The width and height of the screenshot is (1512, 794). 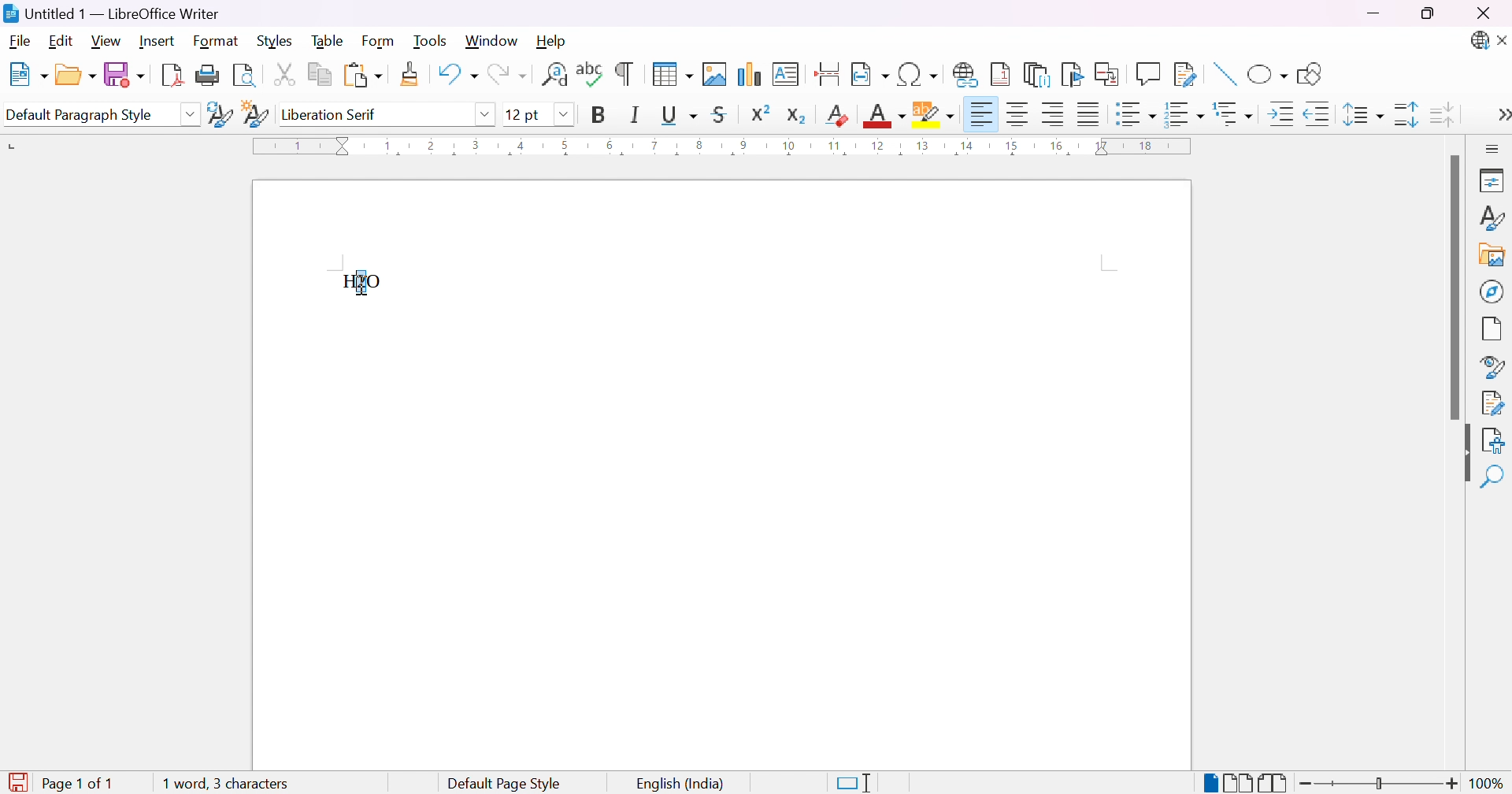 What do you see at coordinates (919, 75) in the screenshot?
I see `Insert special characters` at bounding box center [919, 75].